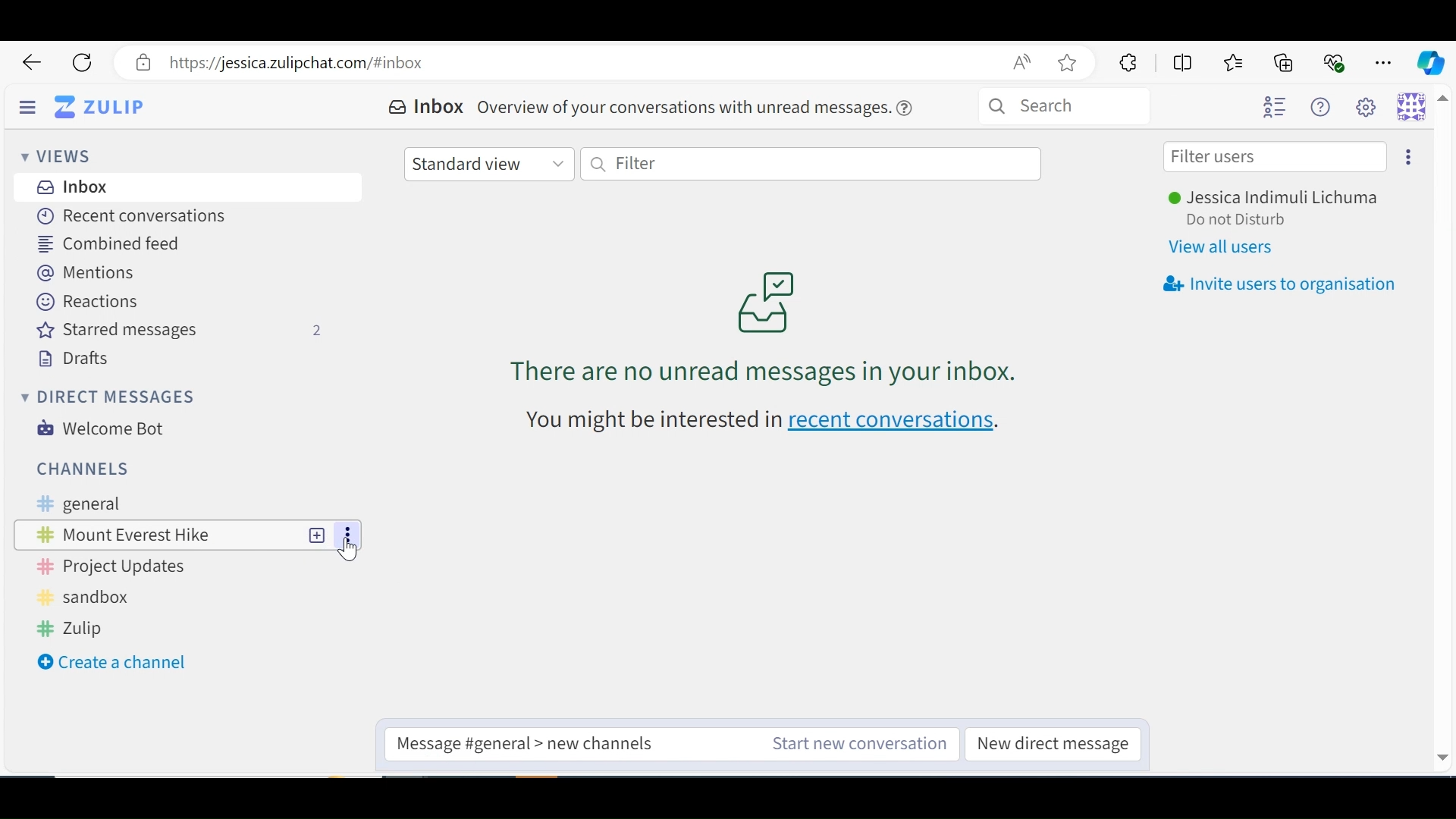  Describe the element at coordinates (111, 662) in the screenshot. I see `Create a new Channel` at that location.